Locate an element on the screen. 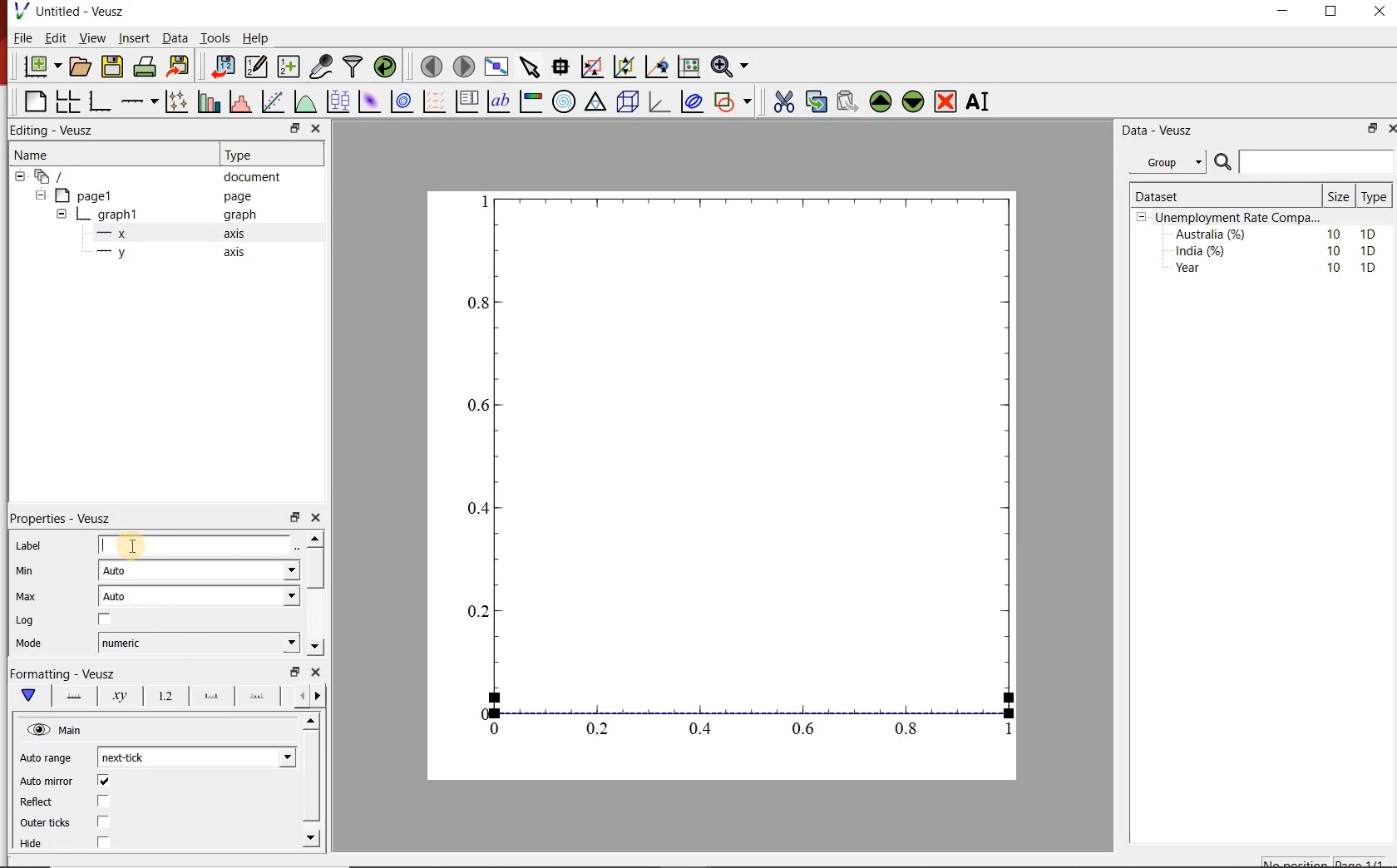 This screenshot has width=1397, height=868. hide/unhide is located at coordinates (38, 729).